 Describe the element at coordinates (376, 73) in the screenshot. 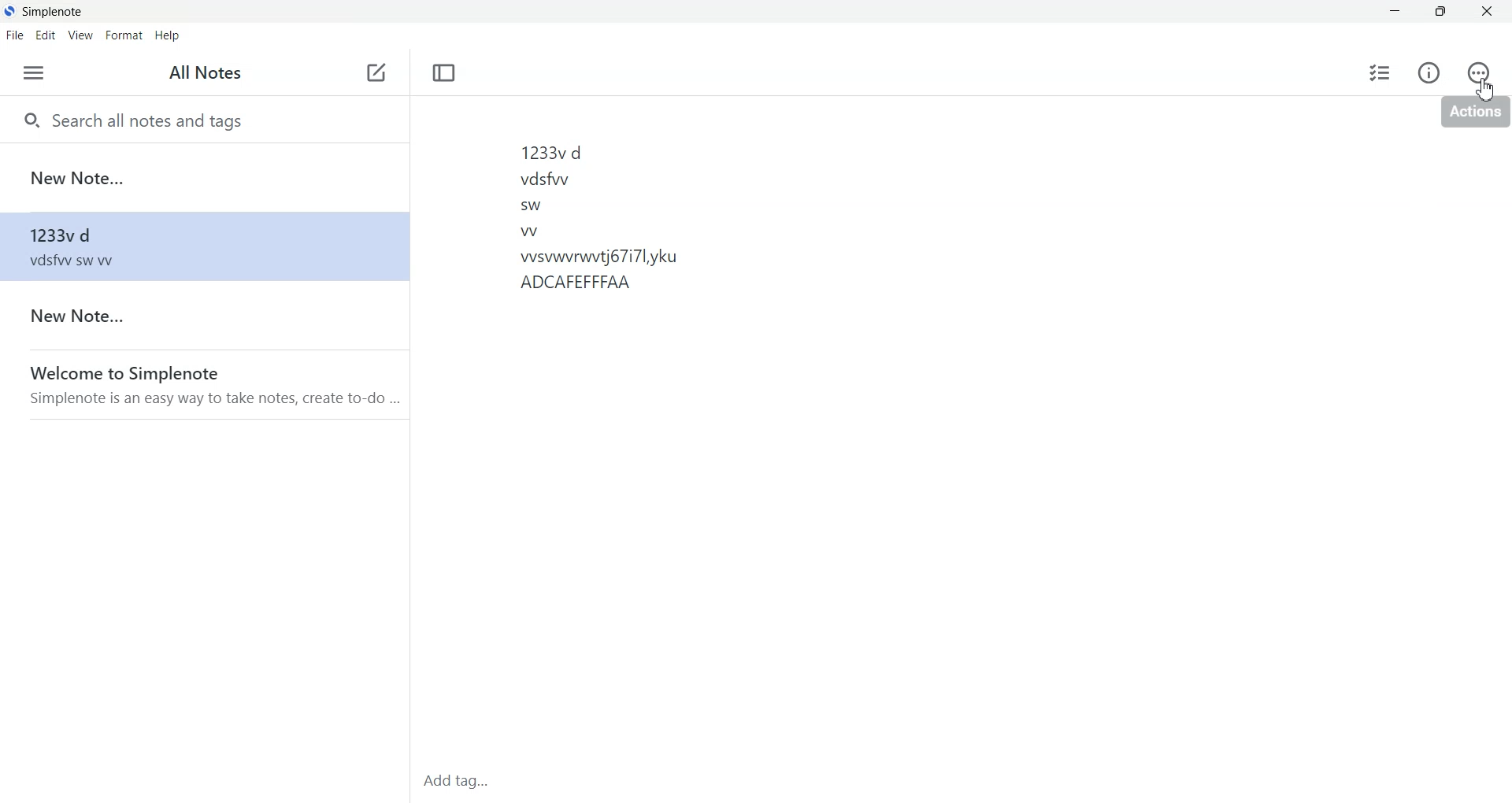

I see `Add new note` at that location.